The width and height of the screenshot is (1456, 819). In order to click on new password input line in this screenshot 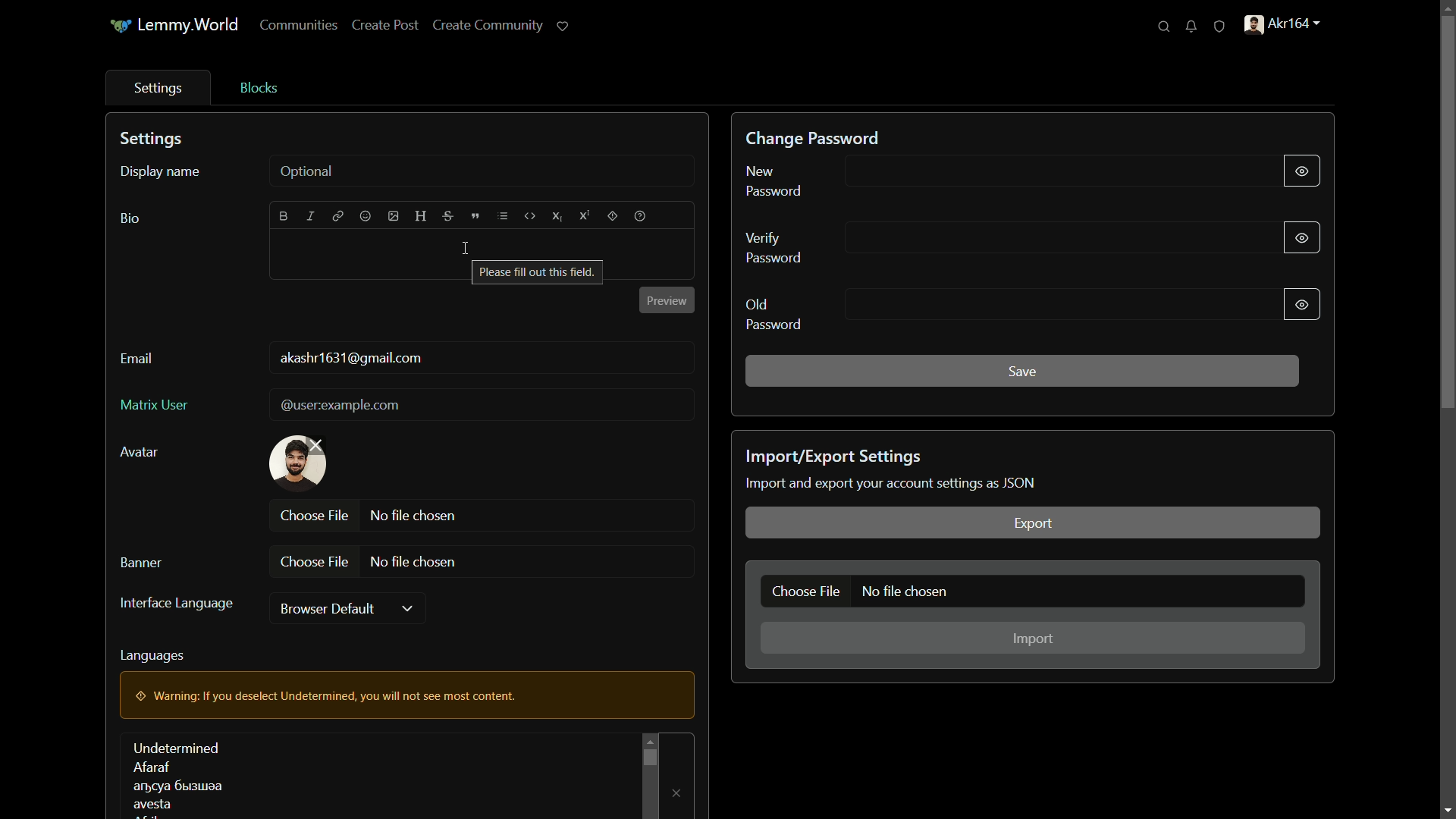, I will do `click(1056, 173)`.